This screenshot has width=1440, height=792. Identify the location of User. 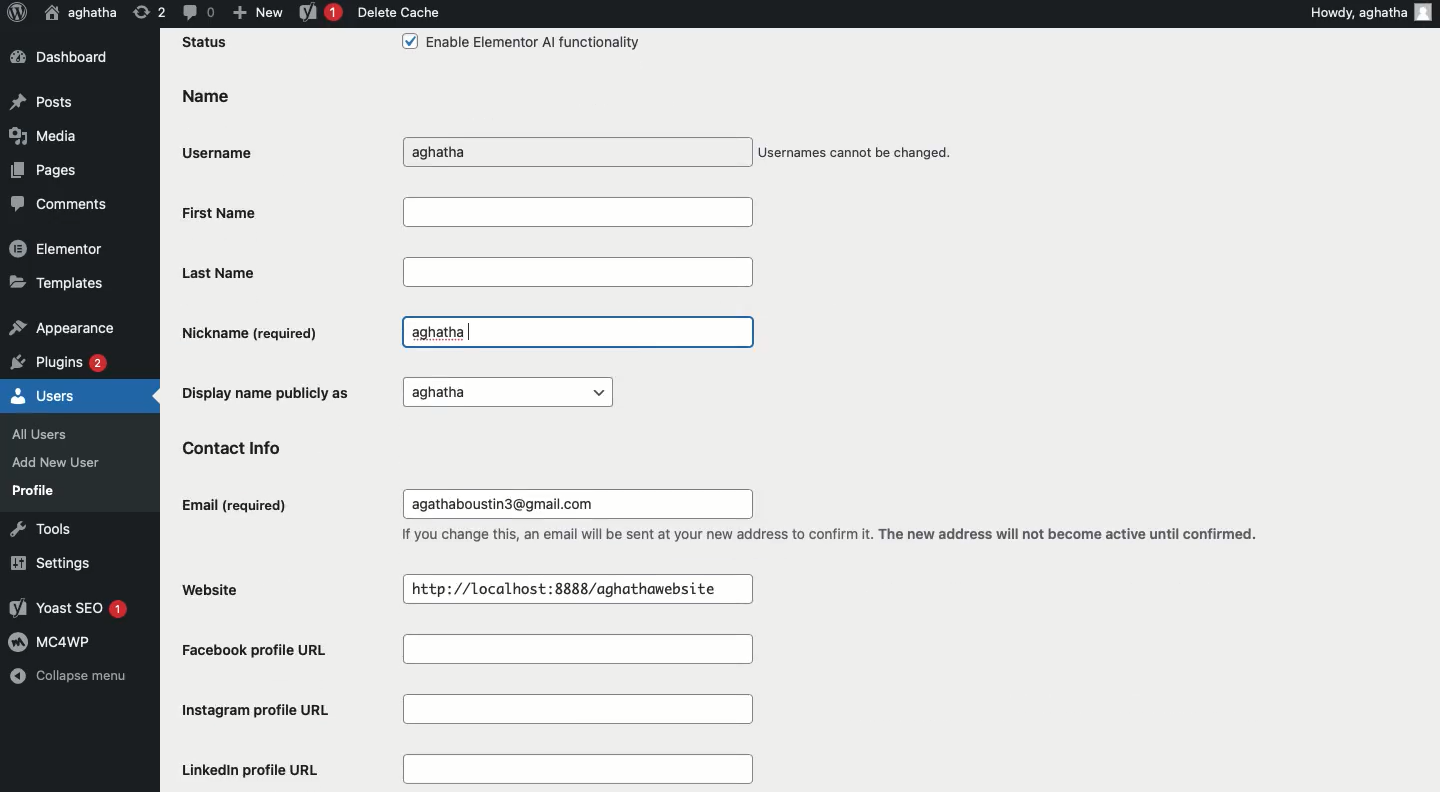
(82, 12).